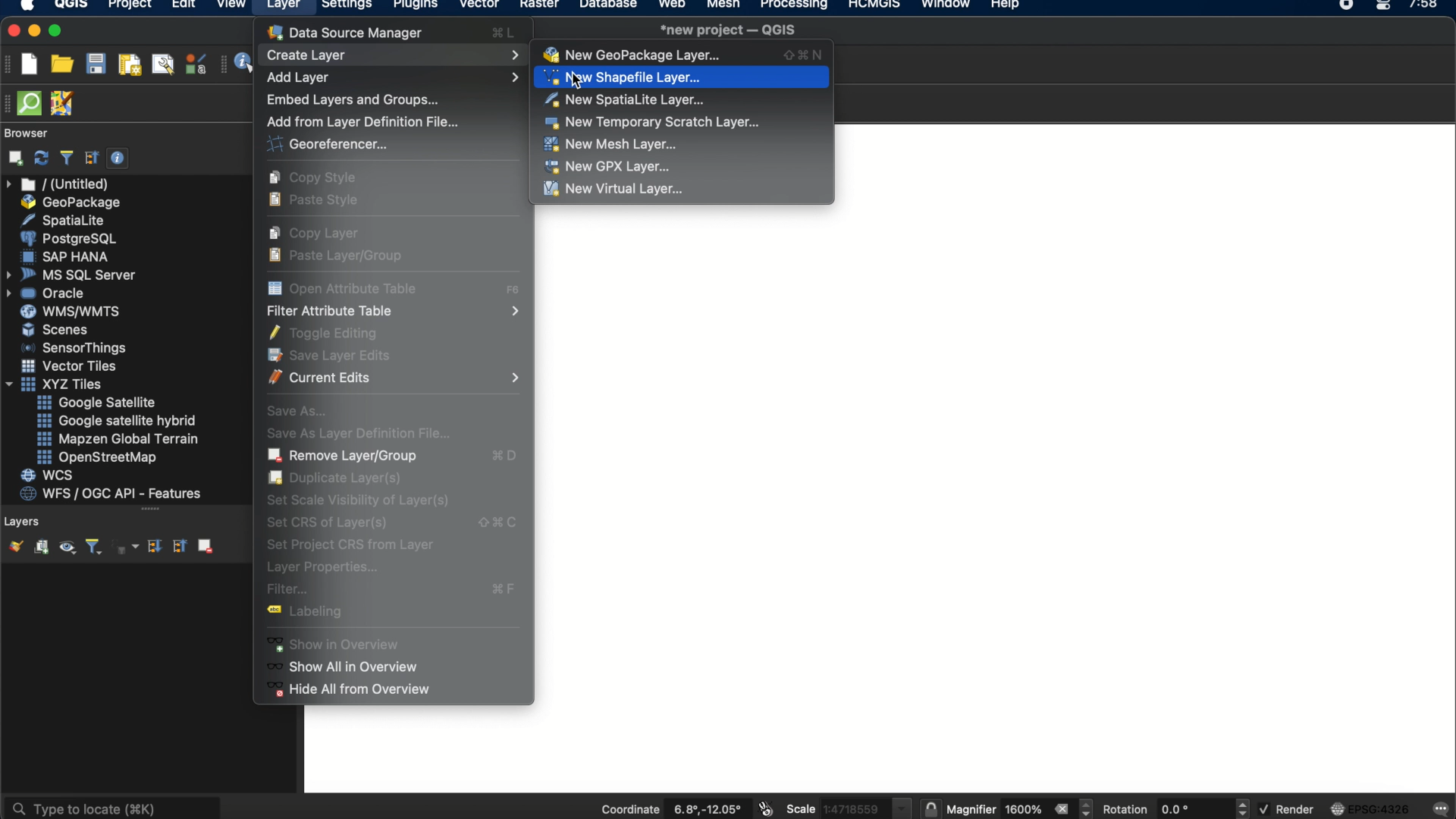 Image resolution: width=1456 pixels, height=819 pixels. I want to click on recorder icon, so click(1348, 6).